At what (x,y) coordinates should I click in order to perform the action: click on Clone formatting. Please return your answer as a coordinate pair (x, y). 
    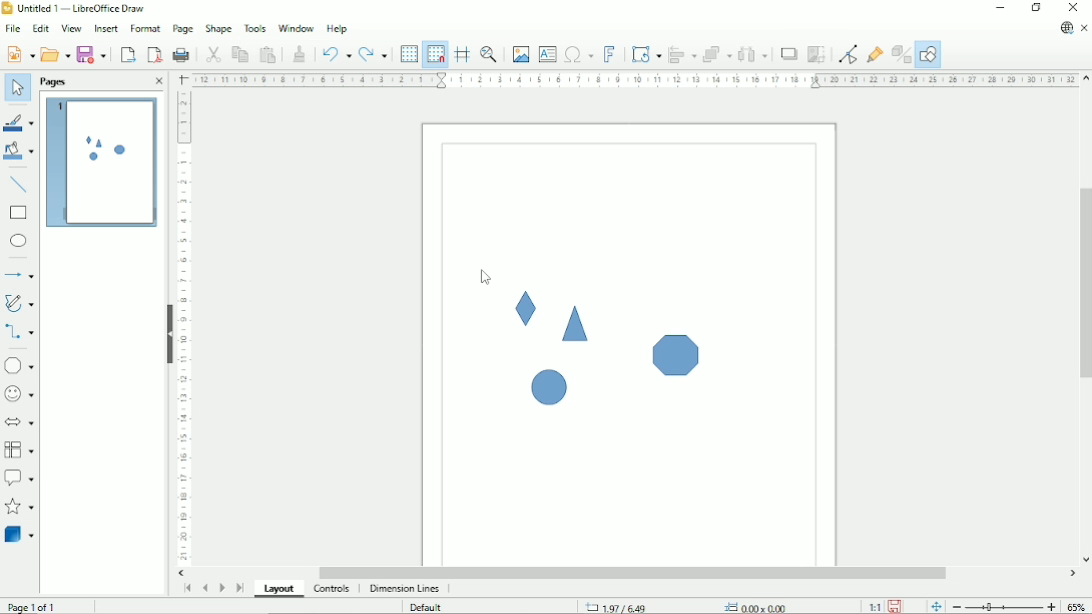
    Looking at the image, I should click on (300, 53).